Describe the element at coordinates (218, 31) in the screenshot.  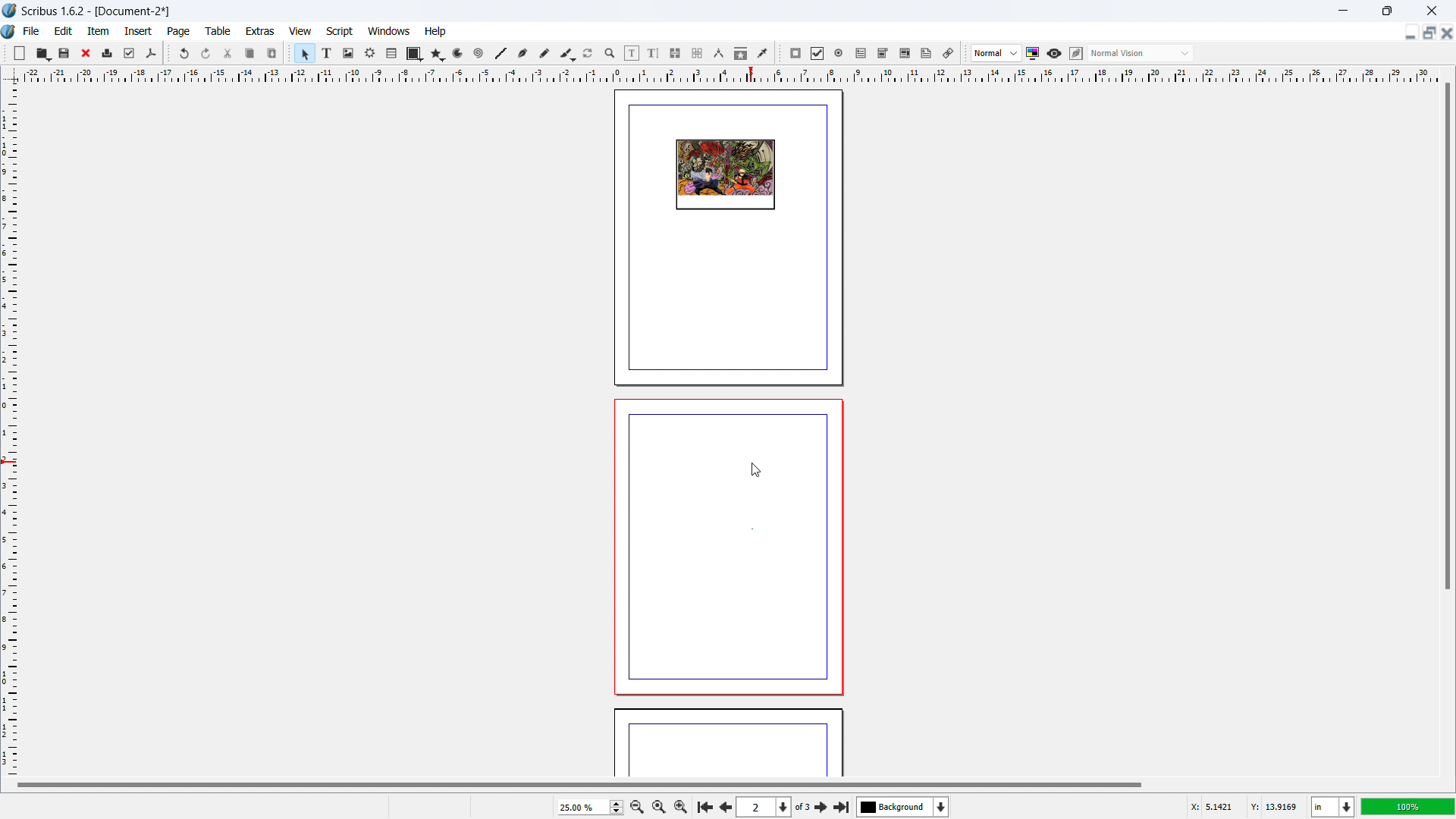
I see `table` at that location.